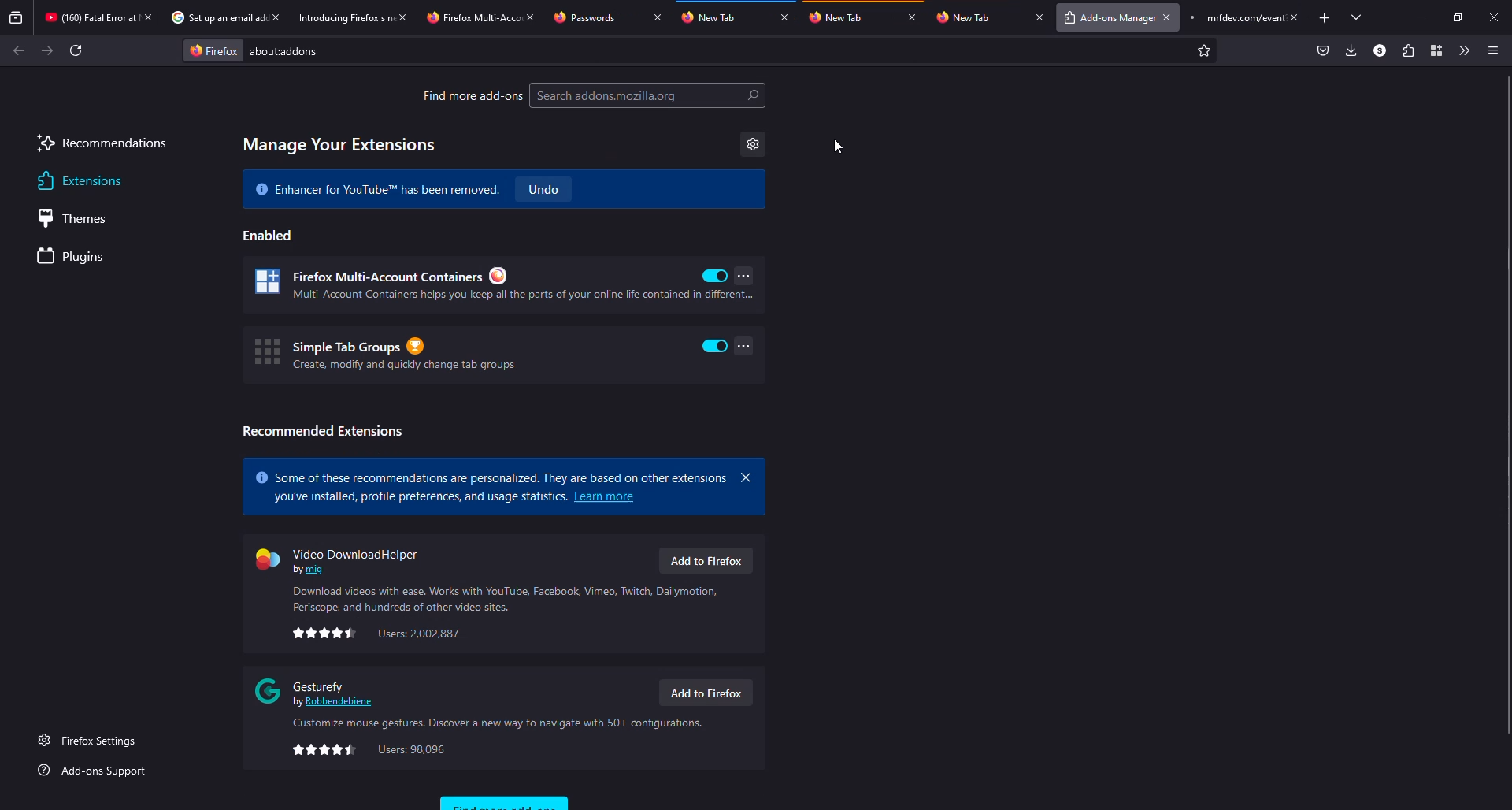 This screenshot has width=1512, height=810. Describe the element at coordinates (327, 750) in the screenshot. I see `Star rating` at that location.